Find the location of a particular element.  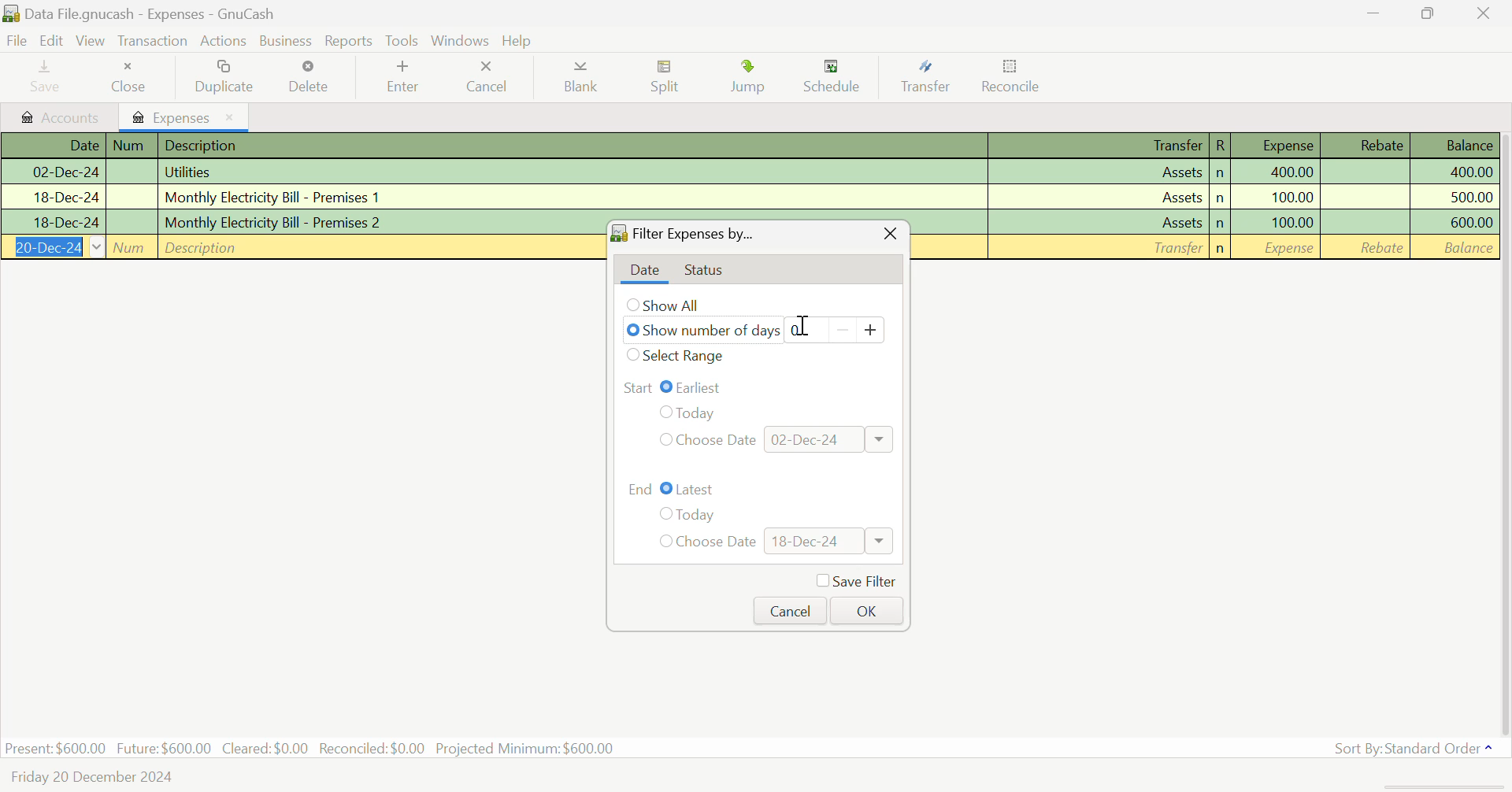

Cancel is located at coordinates (789, 612).